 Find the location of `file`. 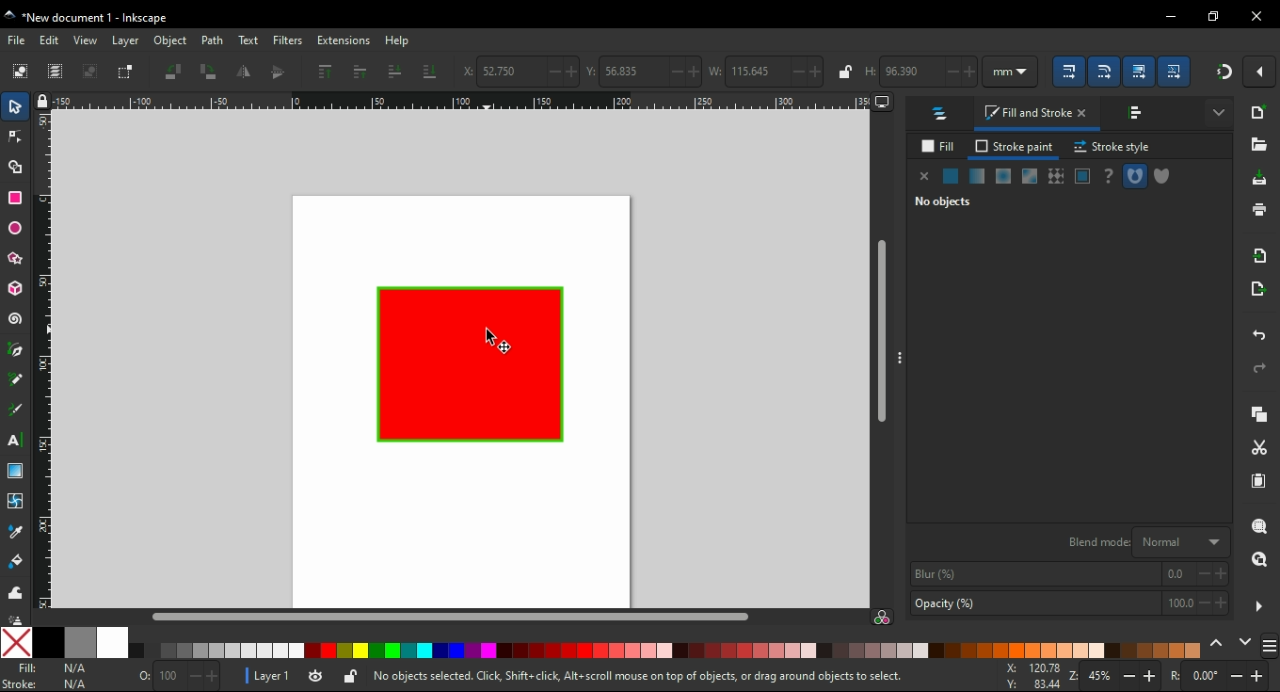

file is located at coordinates (18, 41).